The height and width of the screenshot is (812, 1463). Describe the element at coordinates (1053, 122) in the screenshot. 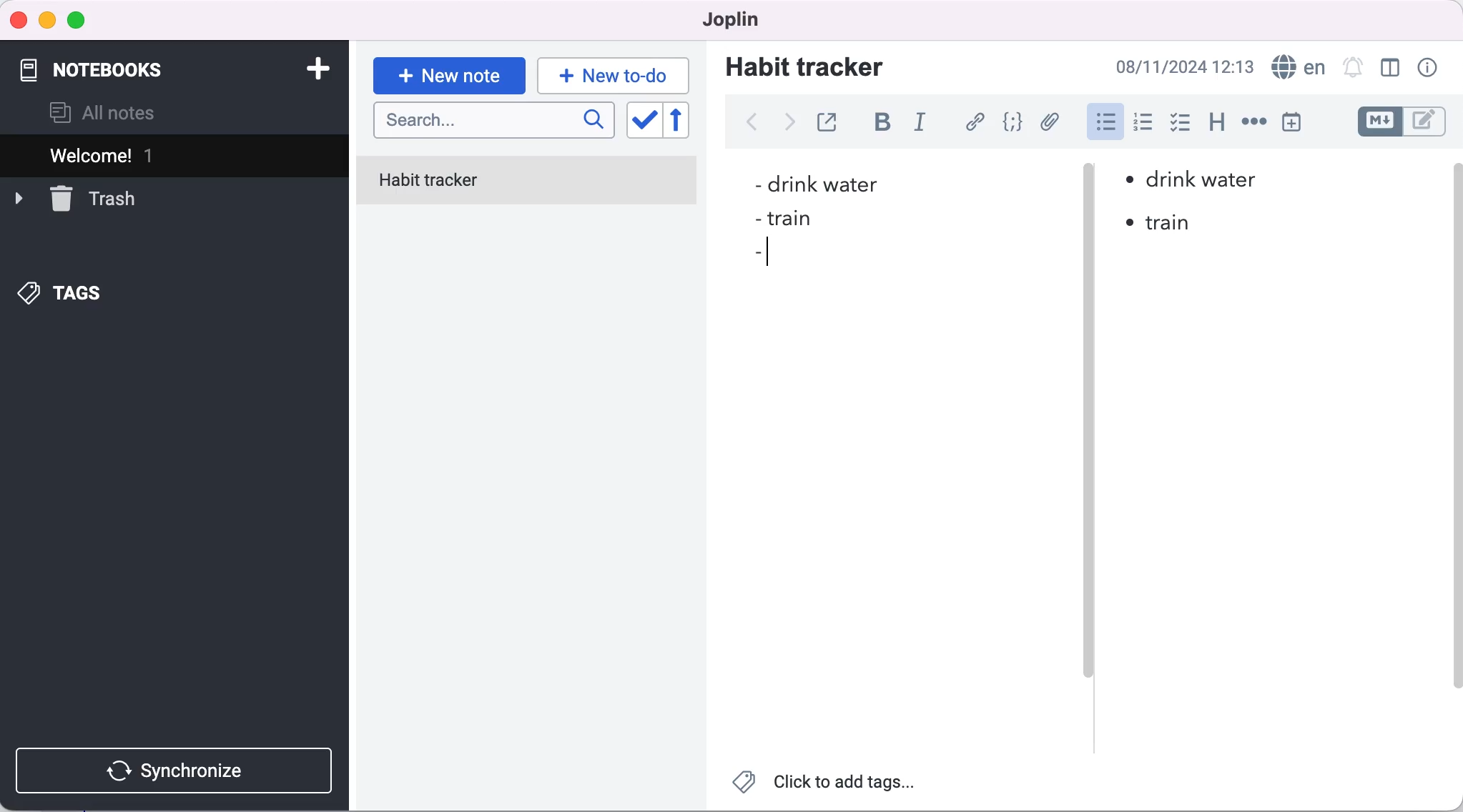

I see `attach file` at that location.